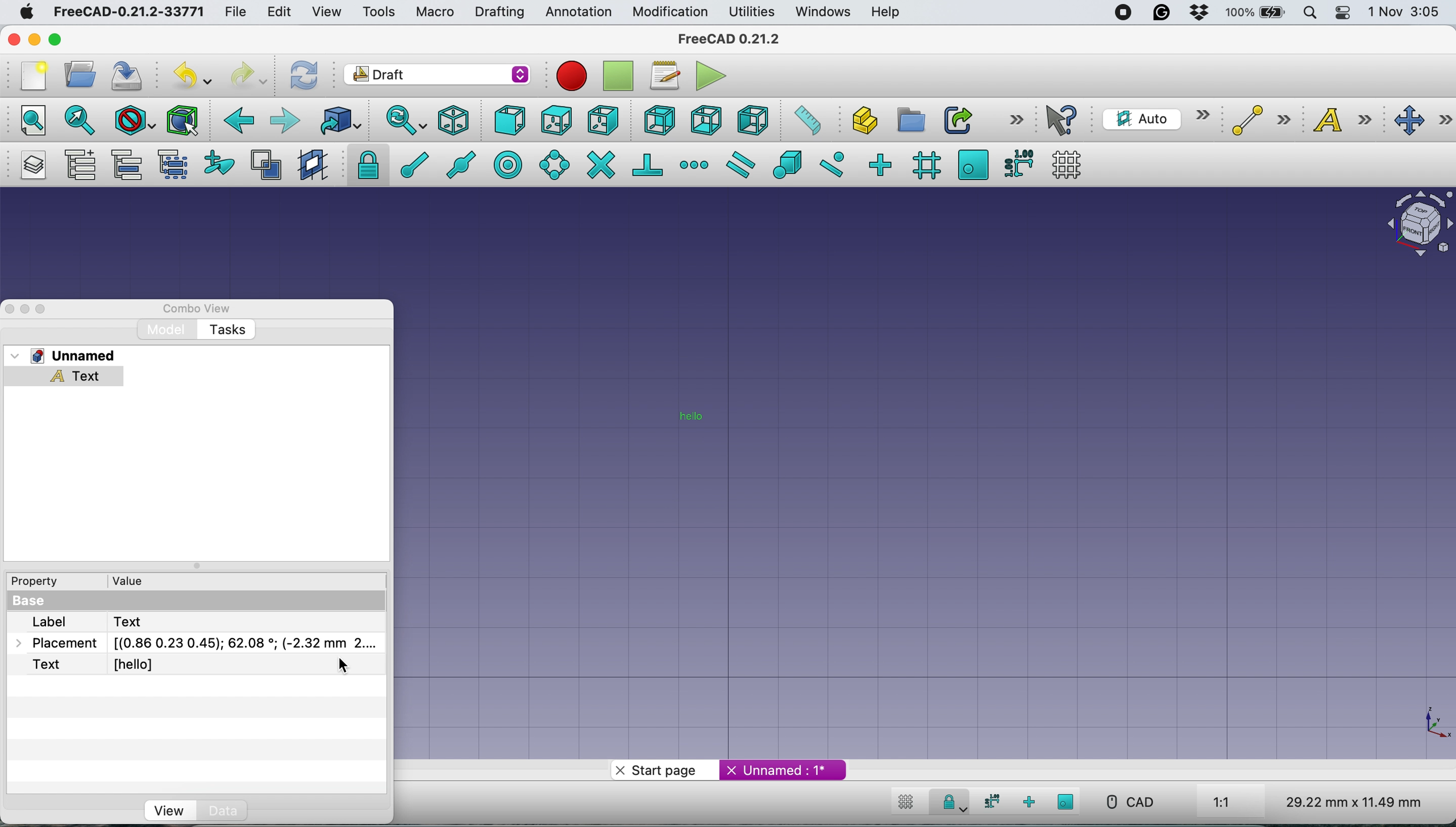 The height and width of the screenshot is (827, 1456). What do you see at coordinates (378, 12) in the screenshot?
I see `tools` at bounding box center [378, 12].